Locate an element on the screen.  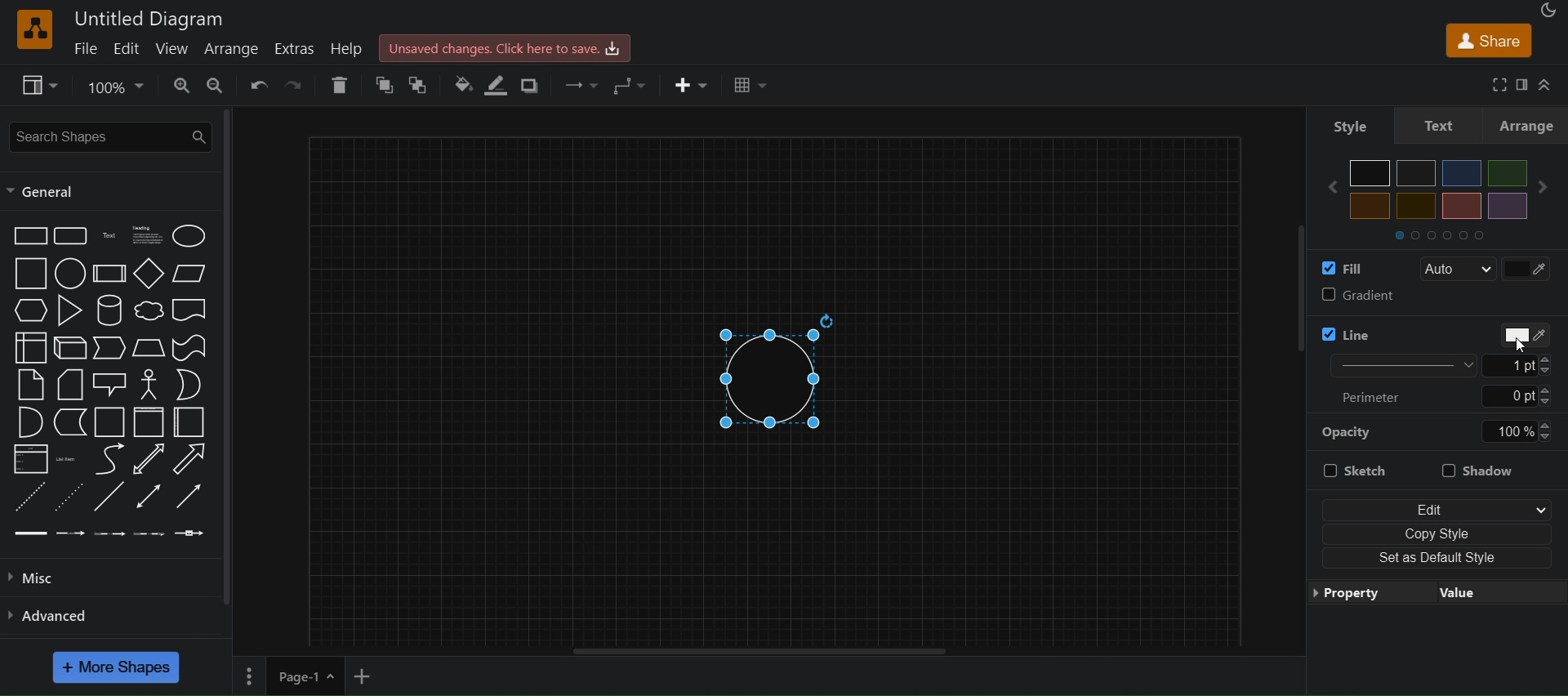
connection is located at coordinates (576, 82).